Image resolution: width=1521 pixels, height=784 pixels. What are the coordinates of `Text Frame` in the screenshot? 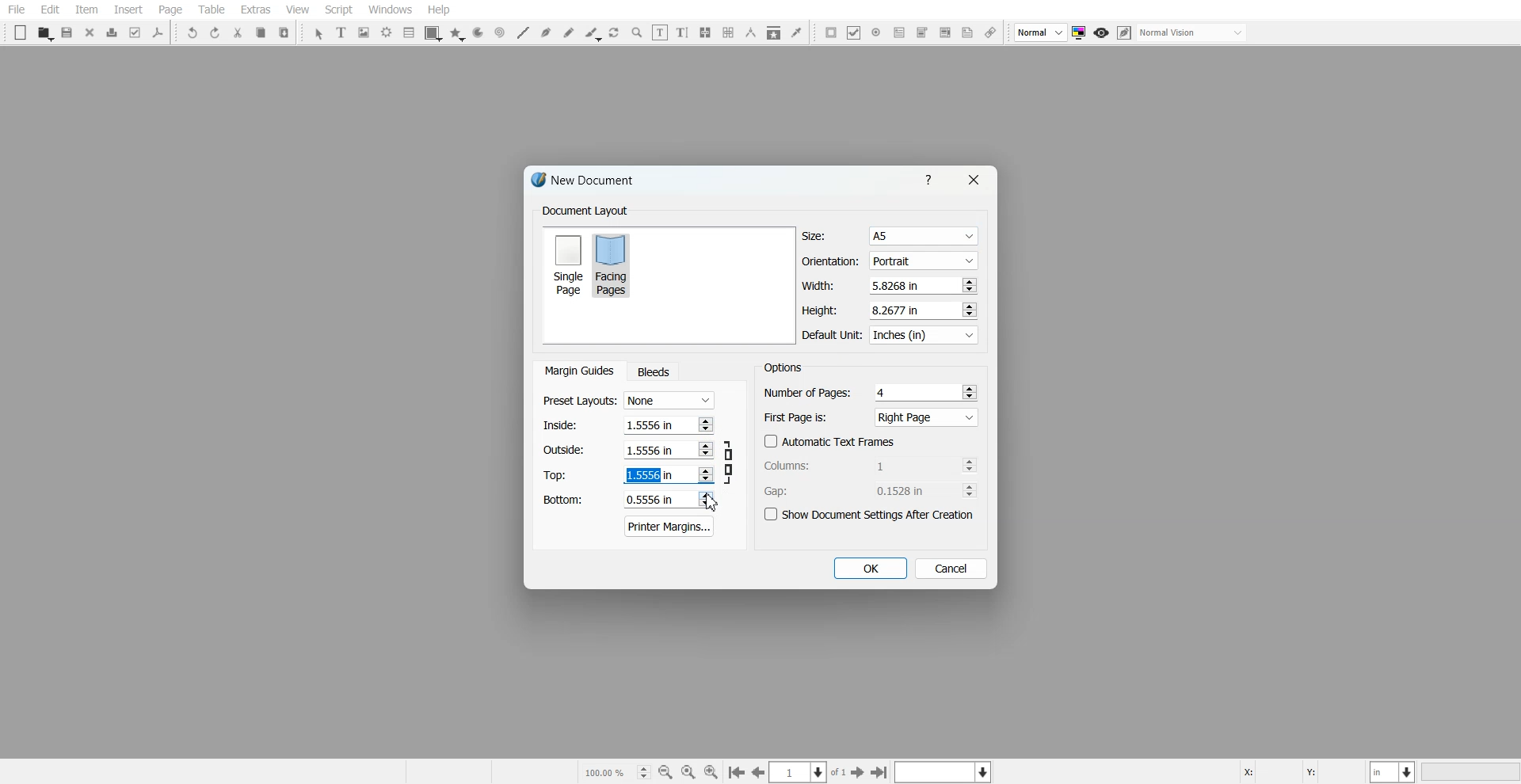 It's located at (342, 32).